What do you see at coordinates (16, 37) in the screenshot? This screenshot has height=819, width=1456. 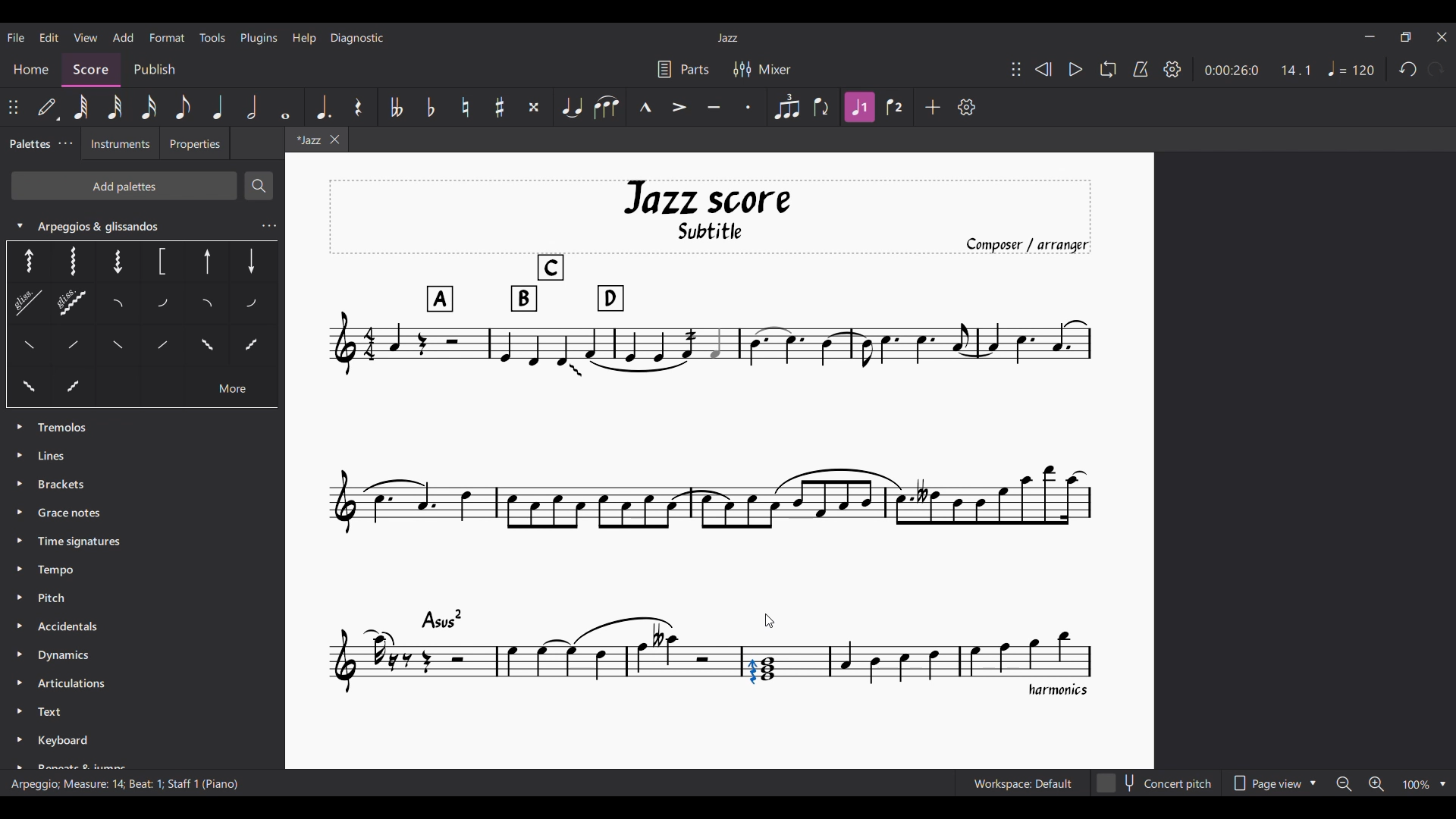 I see `File menu` at bounding box center [16, 37].